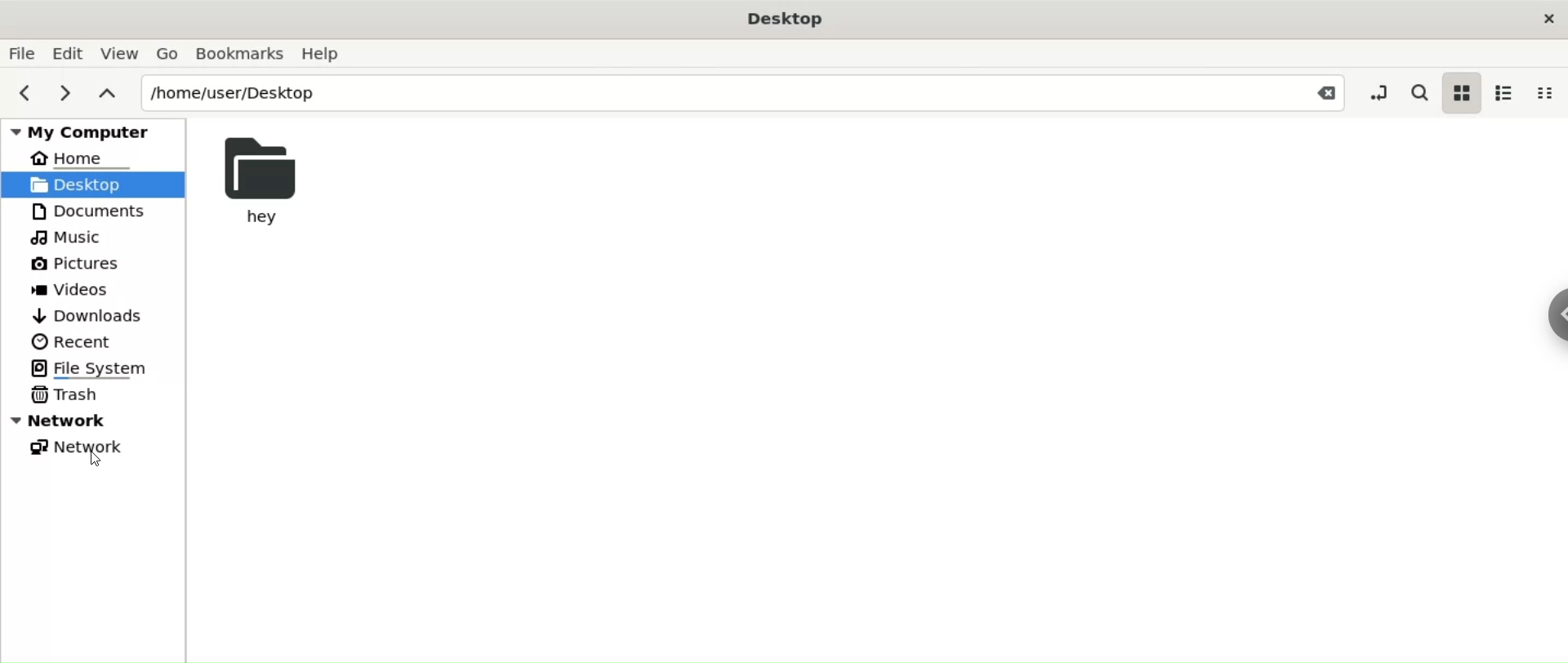  I want to click on File, so click(24, 54).